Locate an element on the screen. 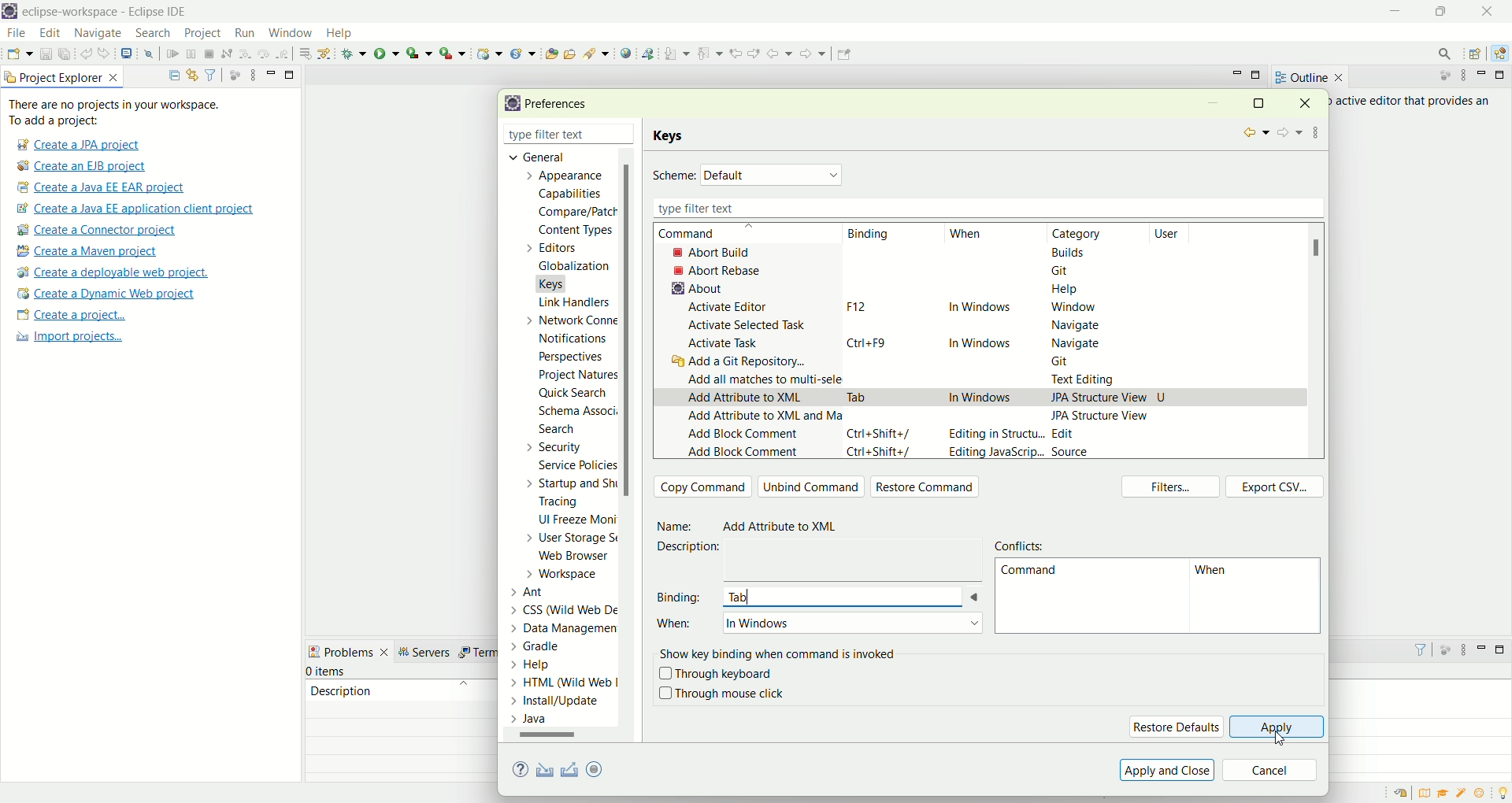  in windows is located at coordinates (980, 309).